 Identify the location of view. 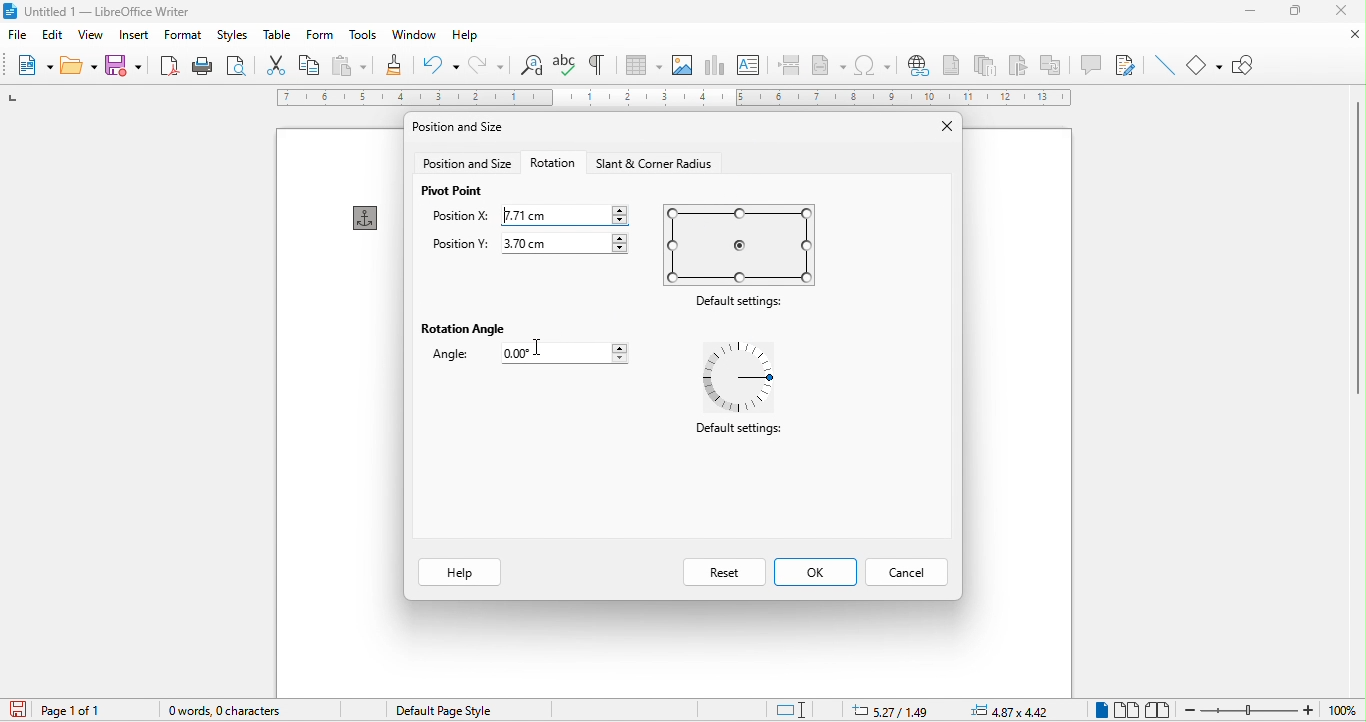
(94, 37).